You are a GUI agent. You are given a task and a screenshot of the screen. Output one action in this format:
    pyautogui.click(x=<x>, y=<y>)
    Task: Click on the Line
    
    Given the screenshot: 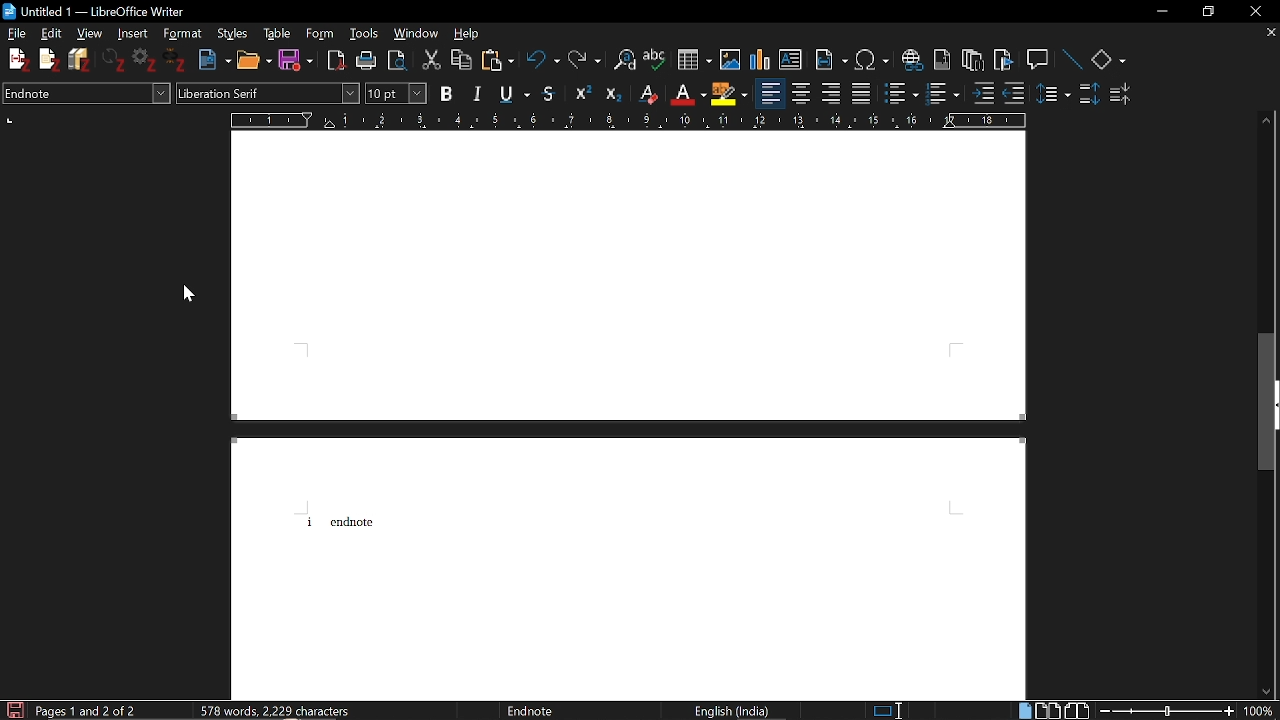 What is the action you would take?
    pyautogui.click(x=1073, y=60)
    